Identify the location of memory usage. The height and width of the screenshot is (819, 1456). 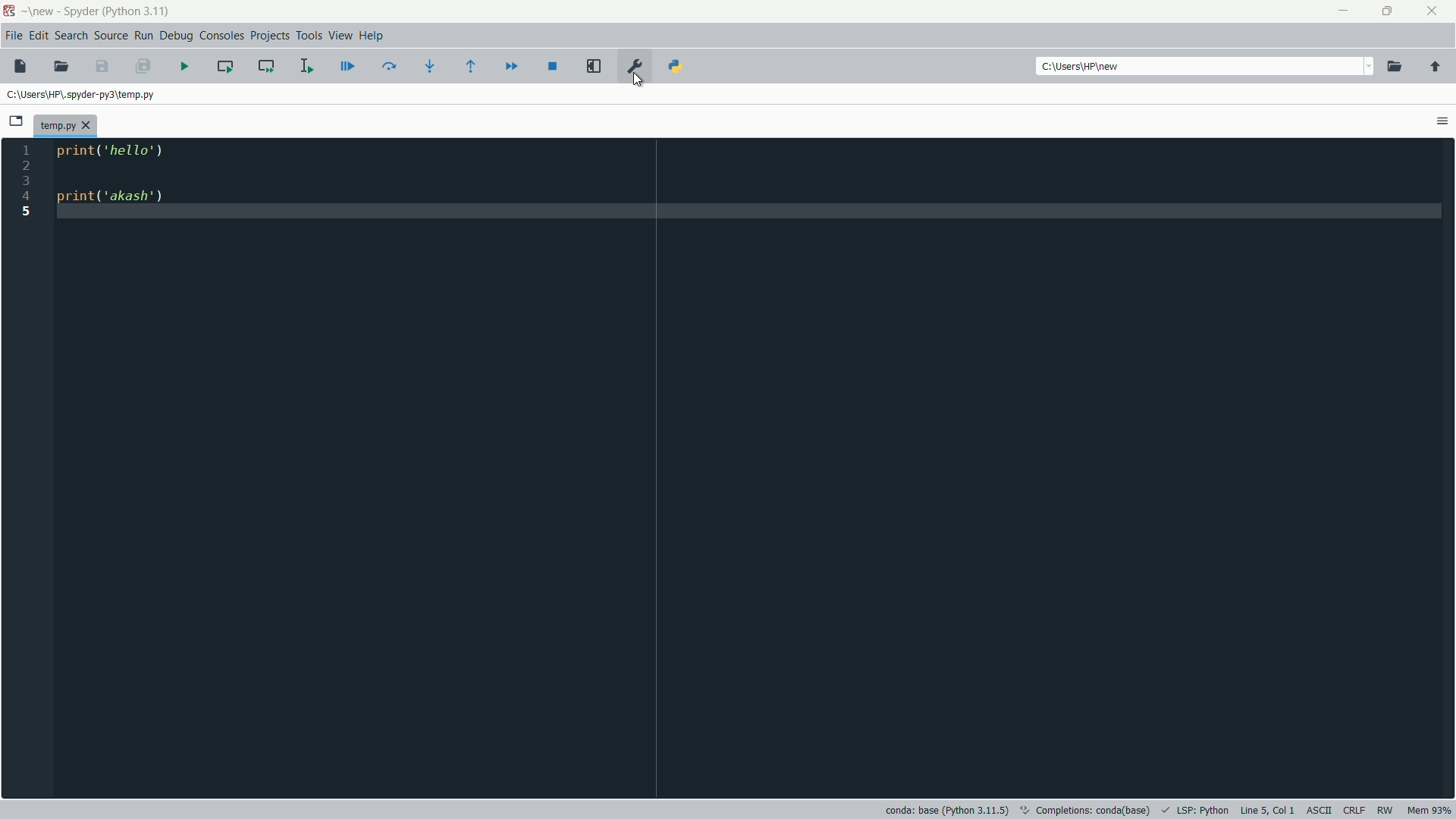
(1430, 811).